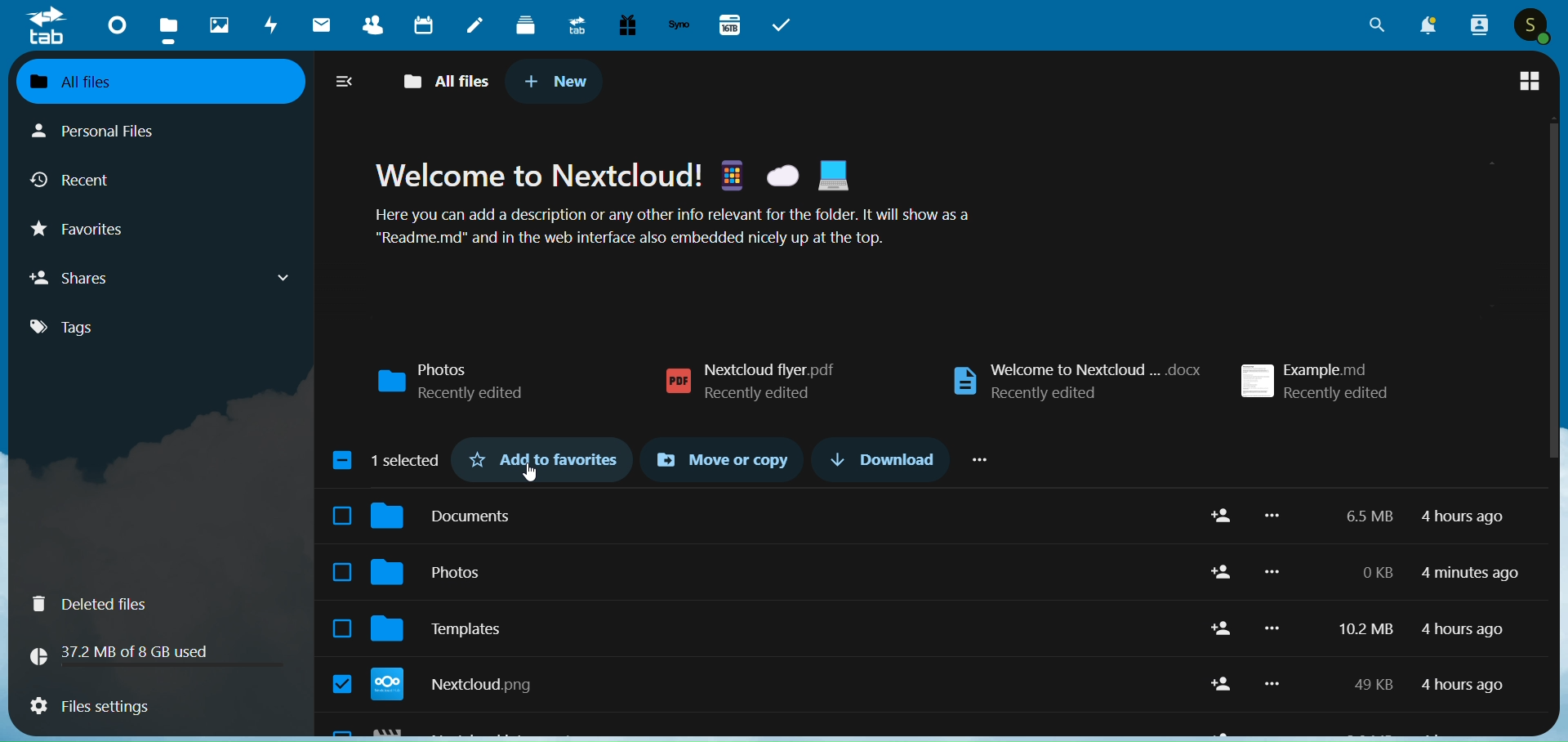  I want to click on logo, so click(47, 28).